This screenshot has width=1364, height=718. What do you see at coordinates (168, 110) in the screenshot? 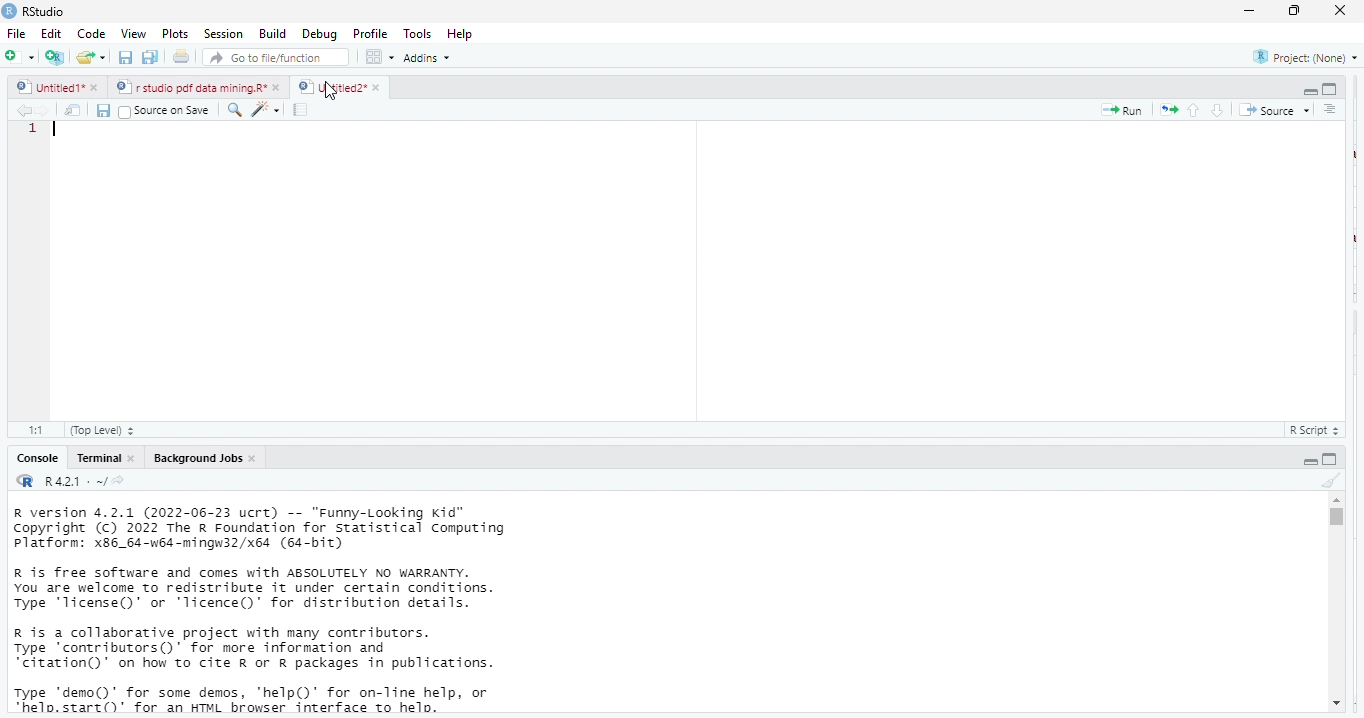
I see `source on save` at bounding box center [168, 110].